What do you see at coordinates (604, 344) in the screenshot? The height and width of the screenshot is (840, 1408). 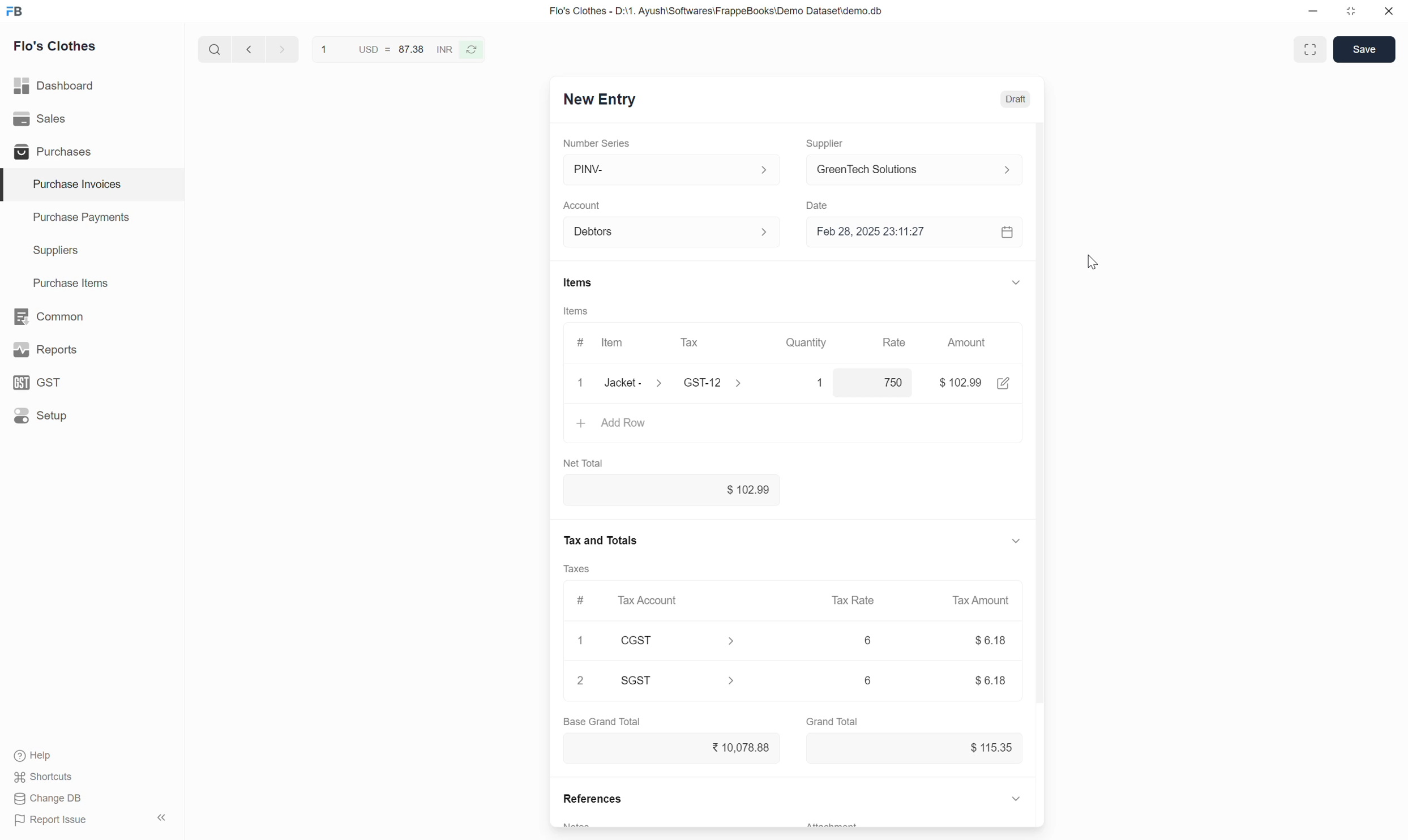 I see `# Item` at bounding box center [604, 344].